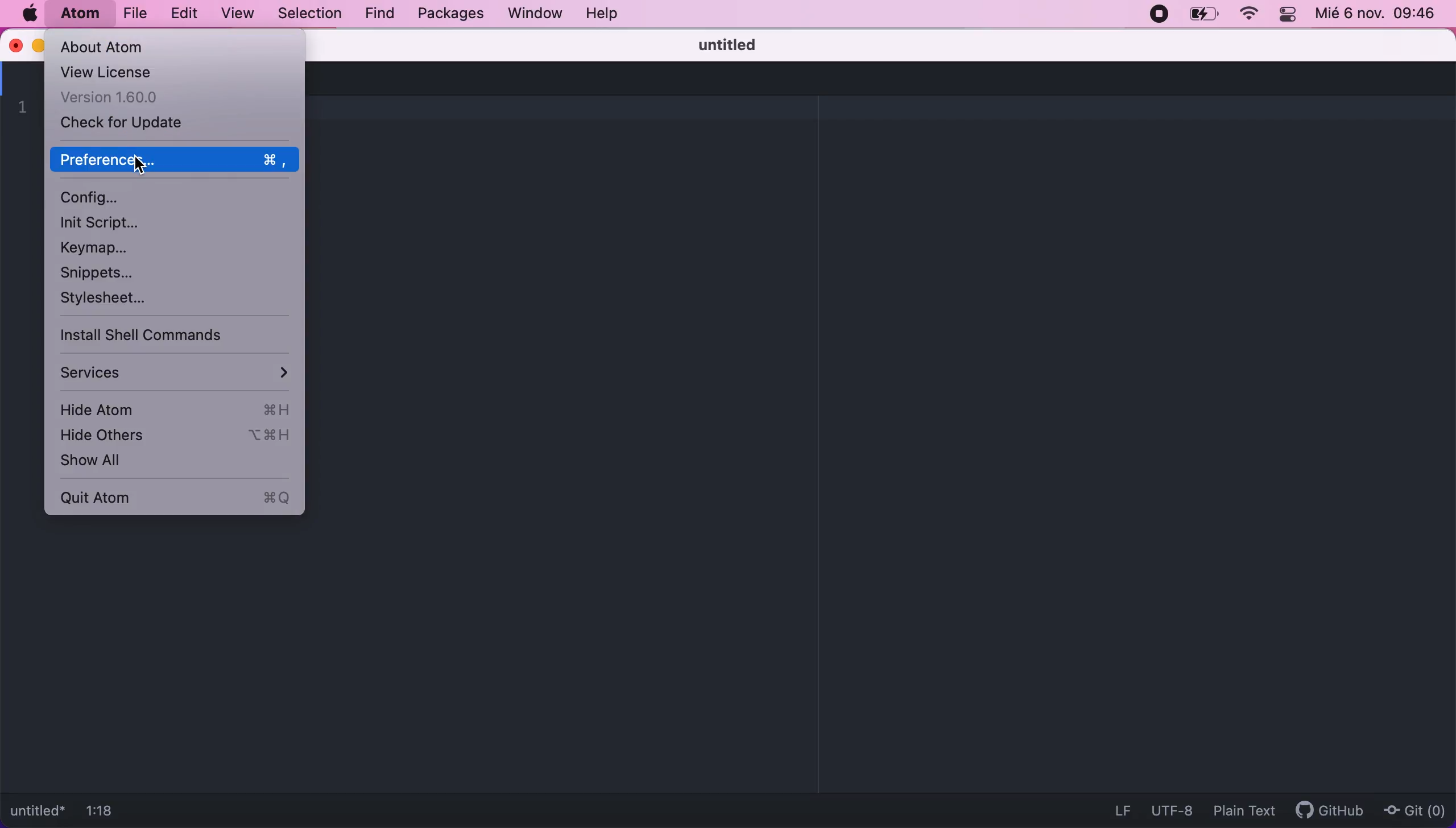 Image resolution: width=1456 pixels, height=828 pixels. Describe the element at coordinates (174, 408) in the screenshot. I see `hide atom` at that location.